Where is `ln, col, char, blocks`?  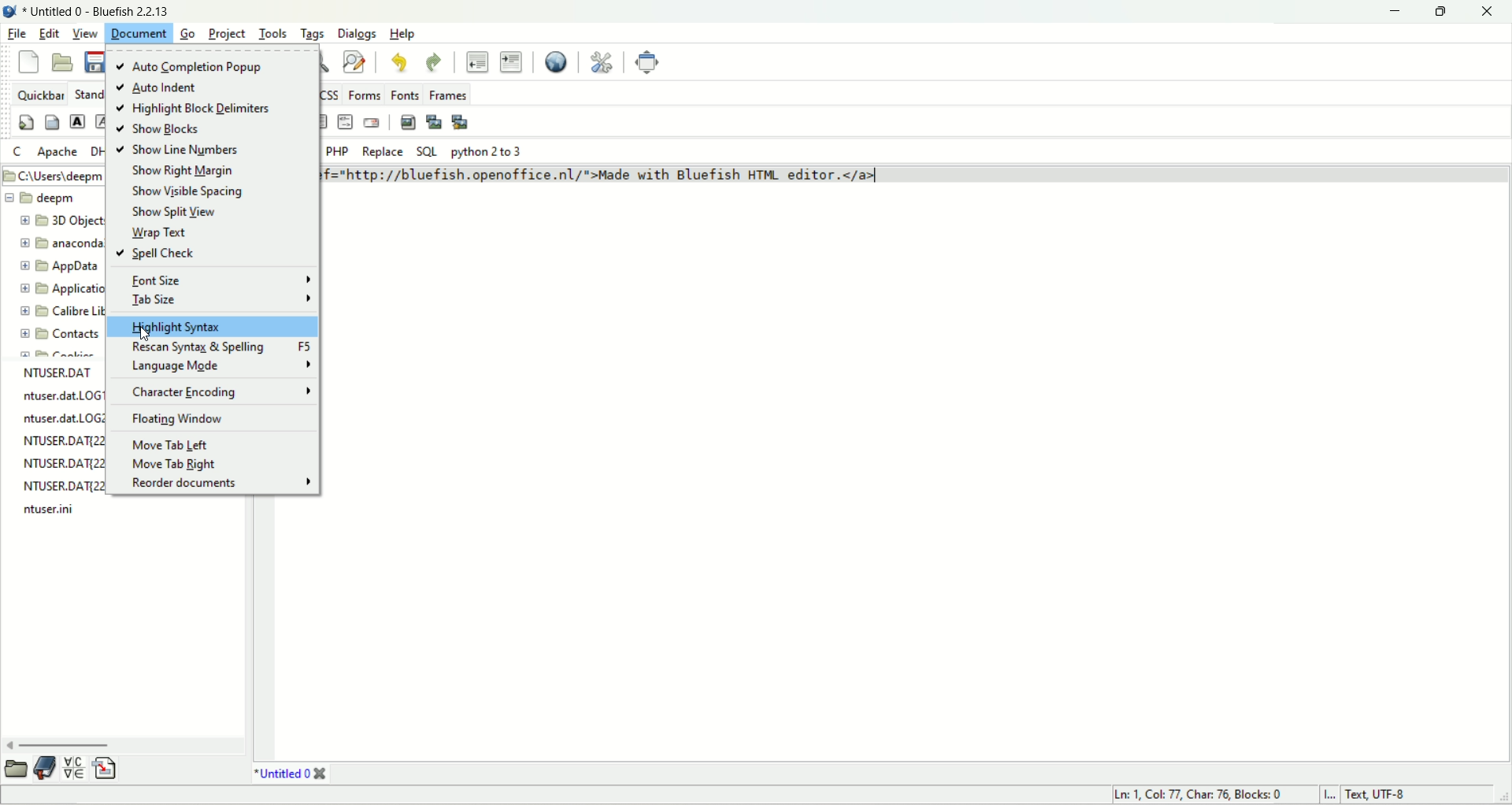
ln, col, char, blocks is located at coordinates (1193, 795).